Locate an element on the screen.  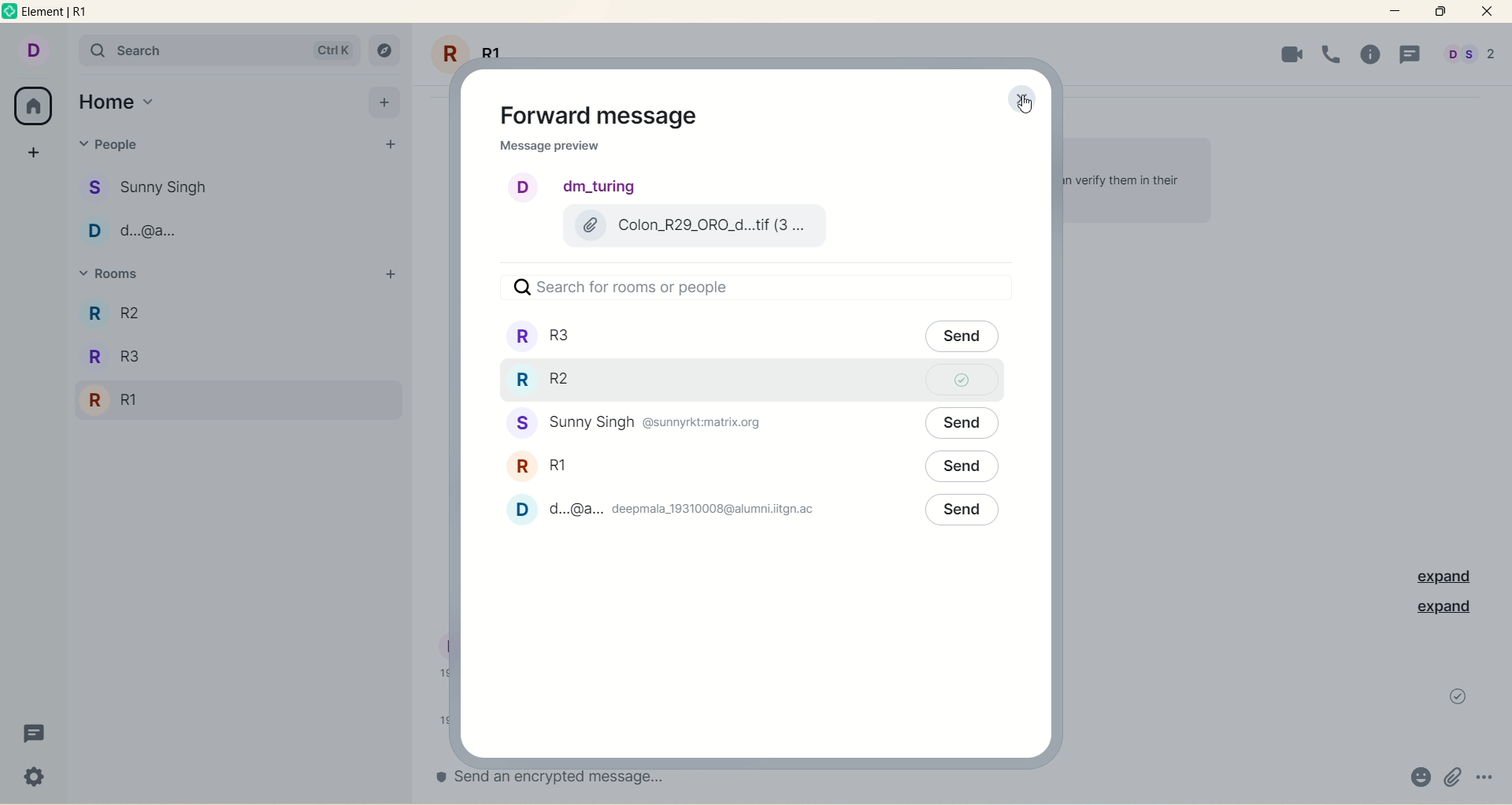
people is located at coordinates (1469, 57).